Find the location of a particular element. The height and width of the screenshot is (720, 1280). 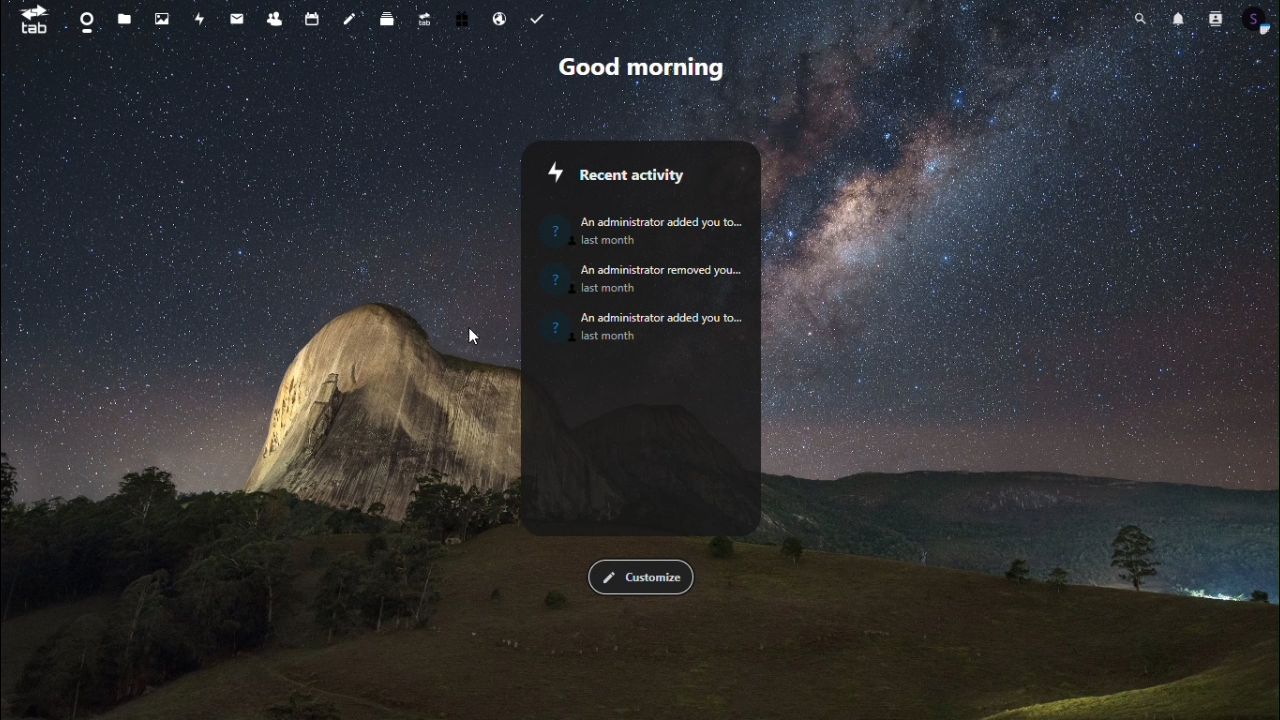

message is located at coordinates (237, 22).